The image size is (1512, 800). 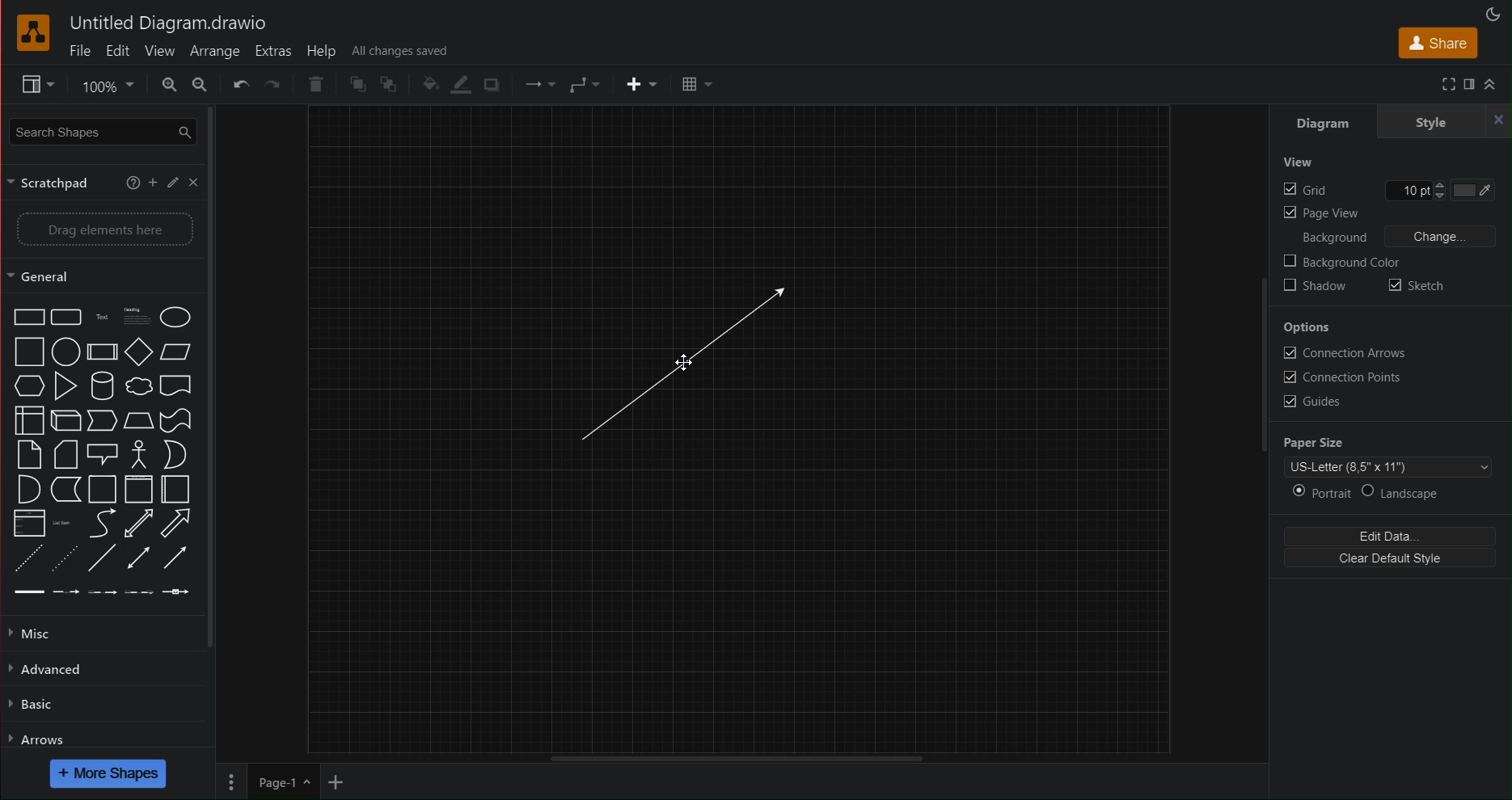 I want to click on , so click(x=1307, y=191).